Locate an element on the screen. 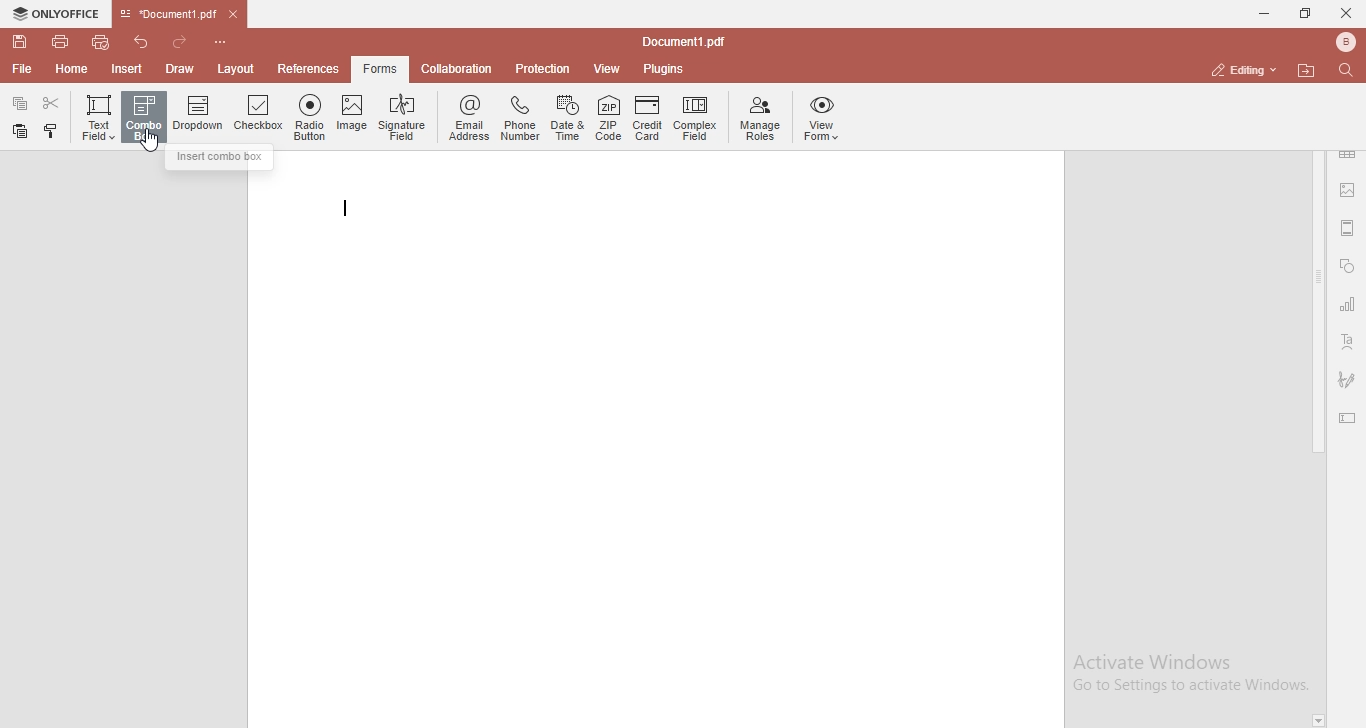 Image resolution: width=1366 pixels, height=728 pixels. text field is located at coordinates (96, 115).